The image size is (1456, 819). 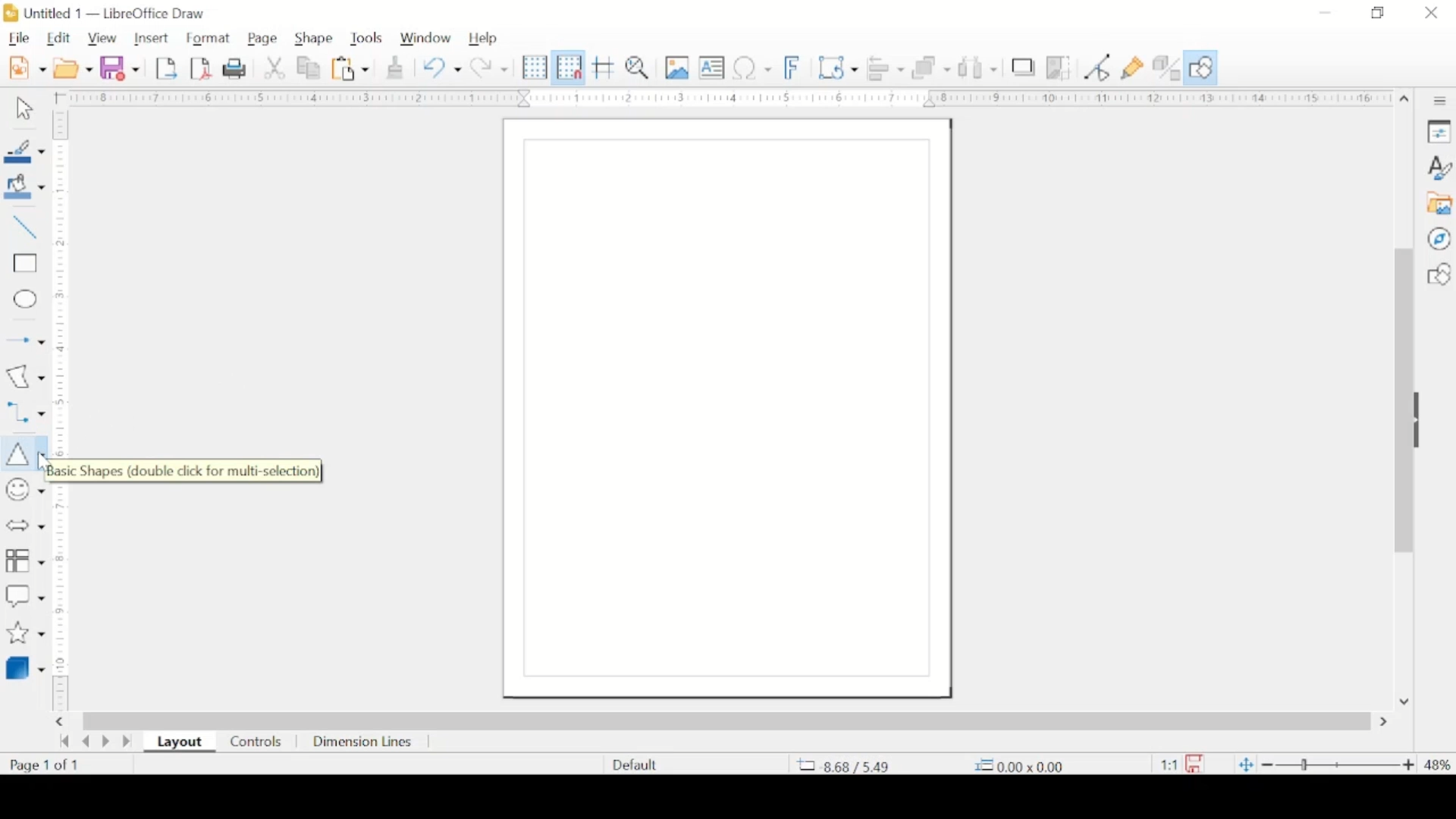 What do you see at coordinates (1203, 67) in the screenshot?
I see `show draw functions` at bounding box center [1203, 67].